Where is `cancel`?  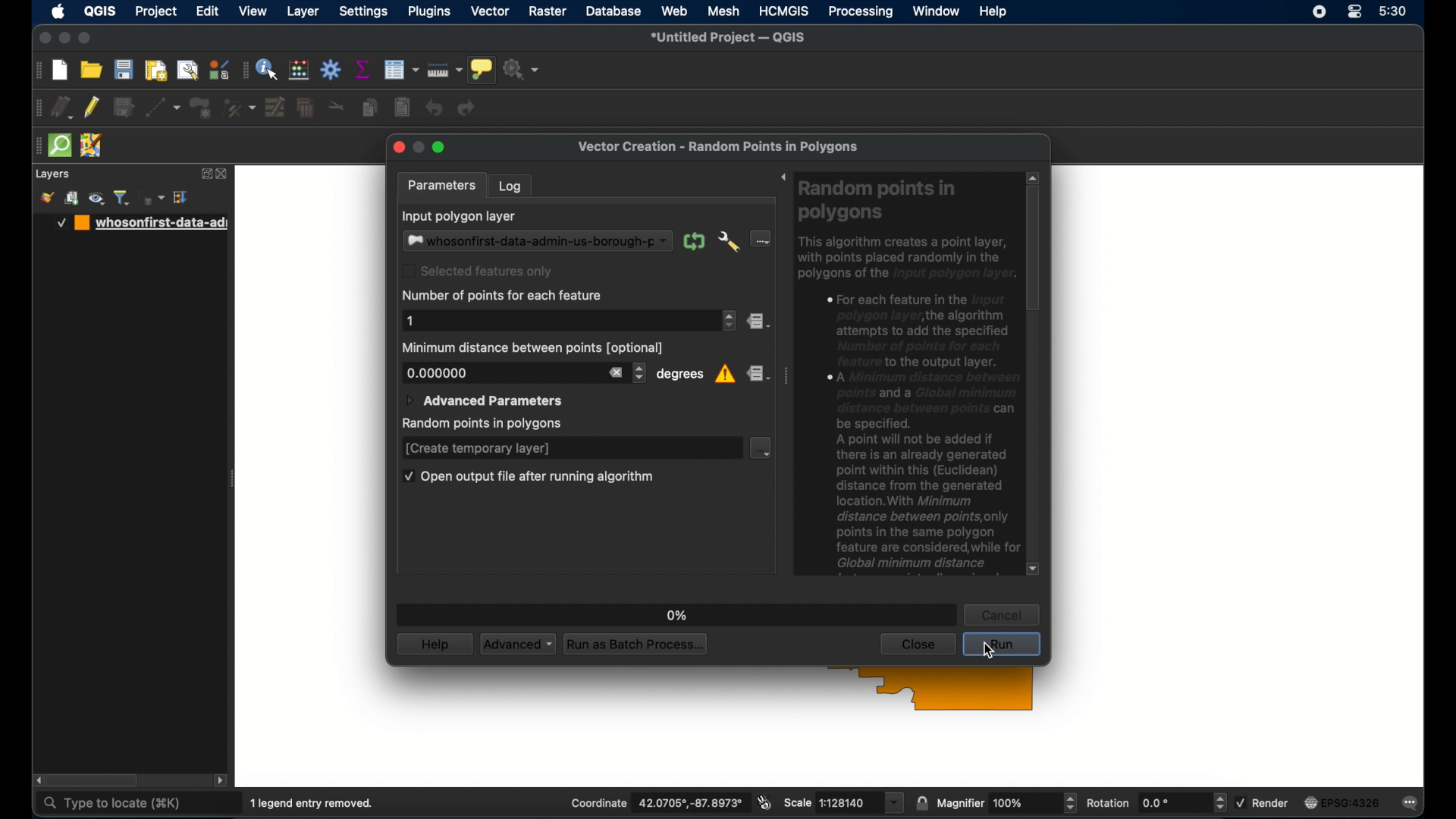 cancel is located at coordinates (1001, 614).